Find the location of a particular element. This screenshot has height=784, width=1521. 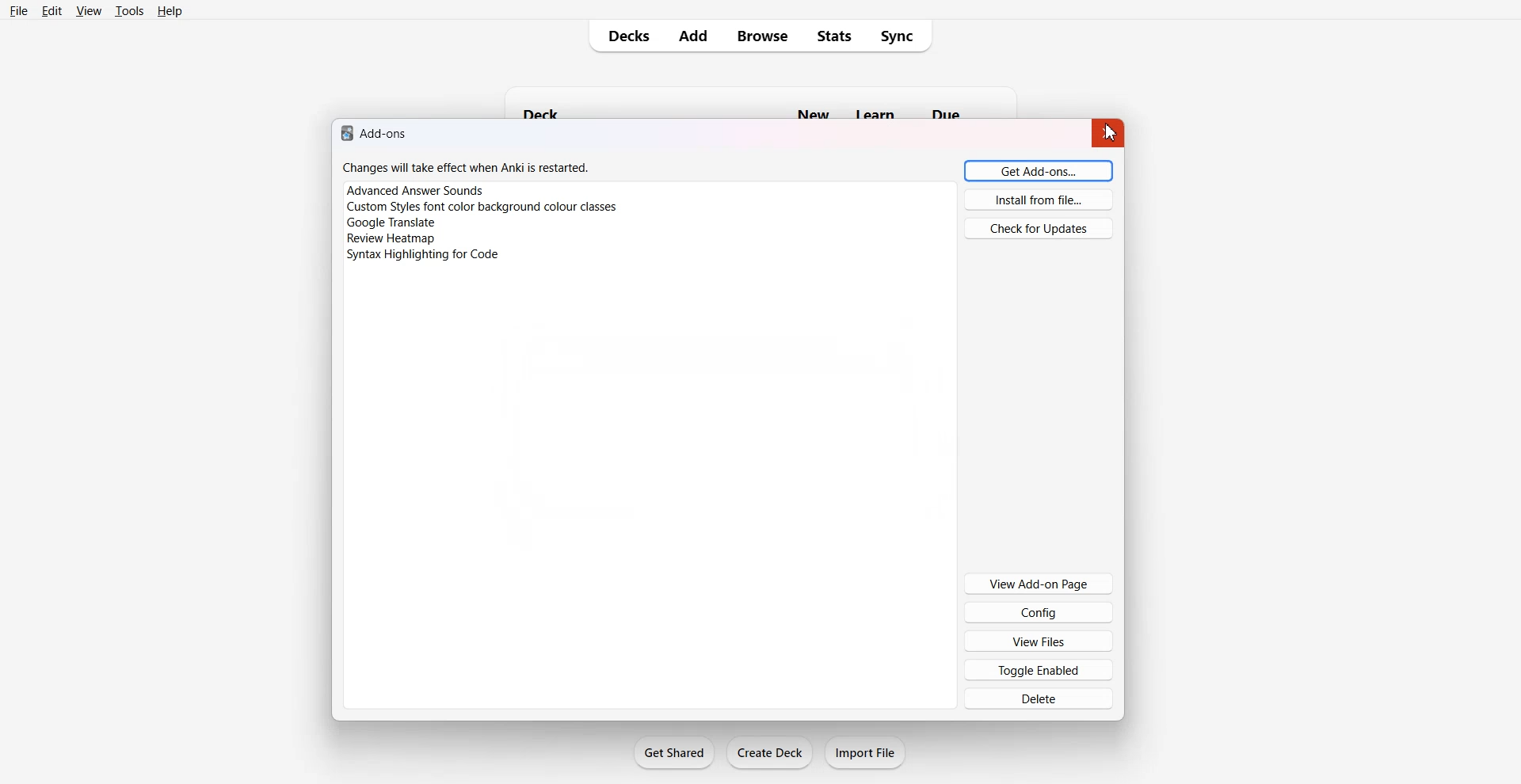

View is located at coordinates (88, 11).